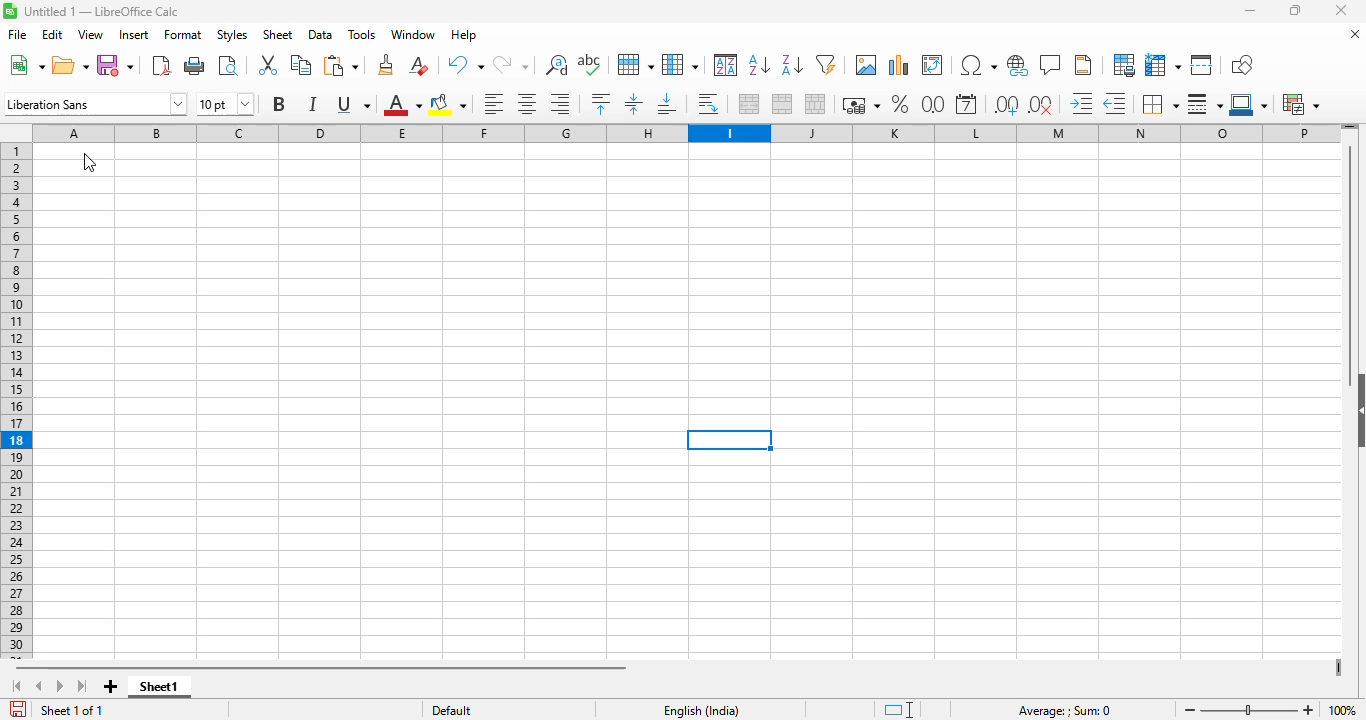 Image resolution: width=1366 pixels, height=720 pixels. What do you see at coordinates (731, 440) in the screenshot?
I see `active cell` at bounding box center [731, 440].